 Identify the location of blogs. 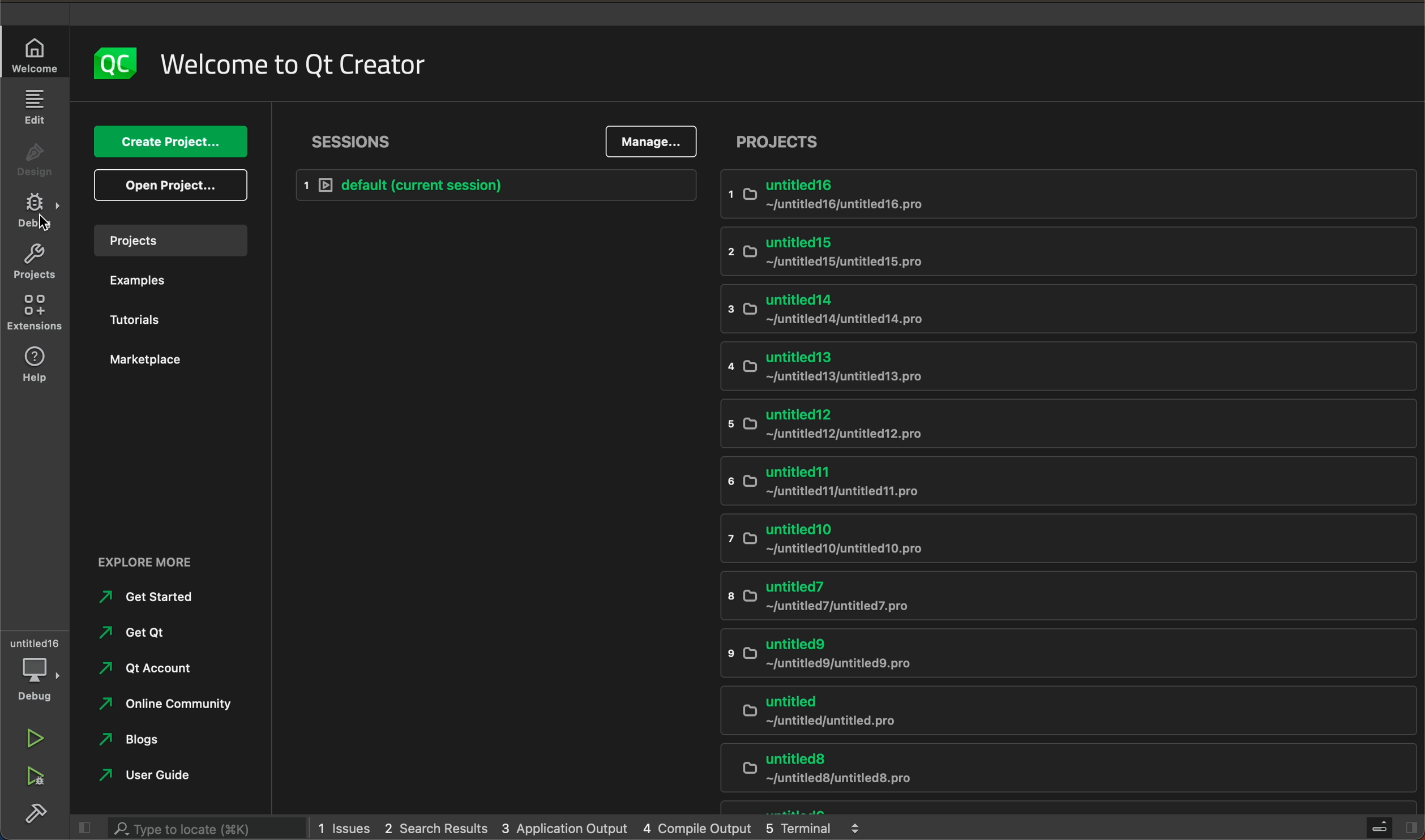
(158, 743).